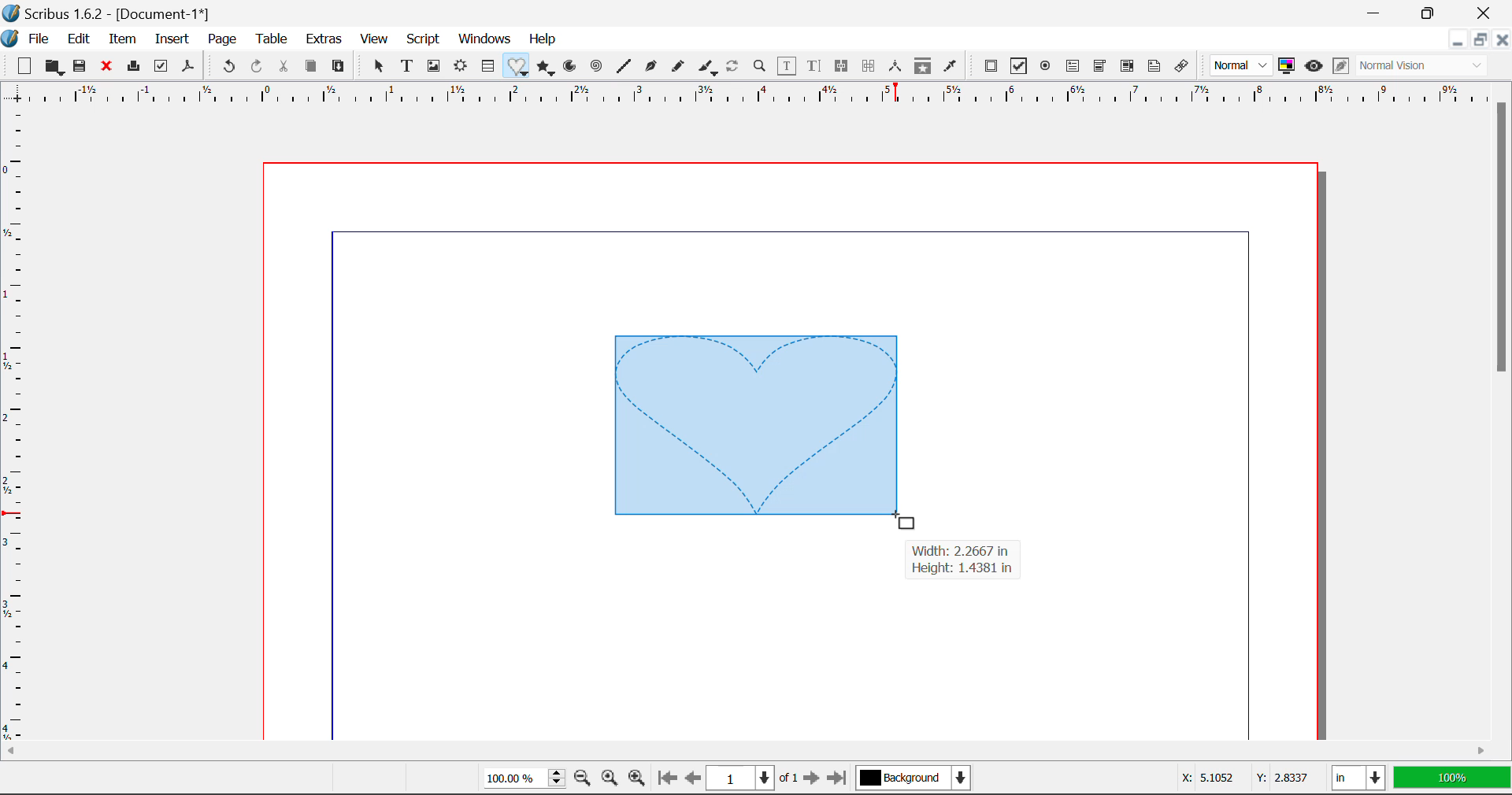 Image resolution: width=1512 pixels, height=795 pixels. What do you see at coordinates (1128, 68) in the screenshot?
I see `Pdf List box` at bounding box center [1128, 68].